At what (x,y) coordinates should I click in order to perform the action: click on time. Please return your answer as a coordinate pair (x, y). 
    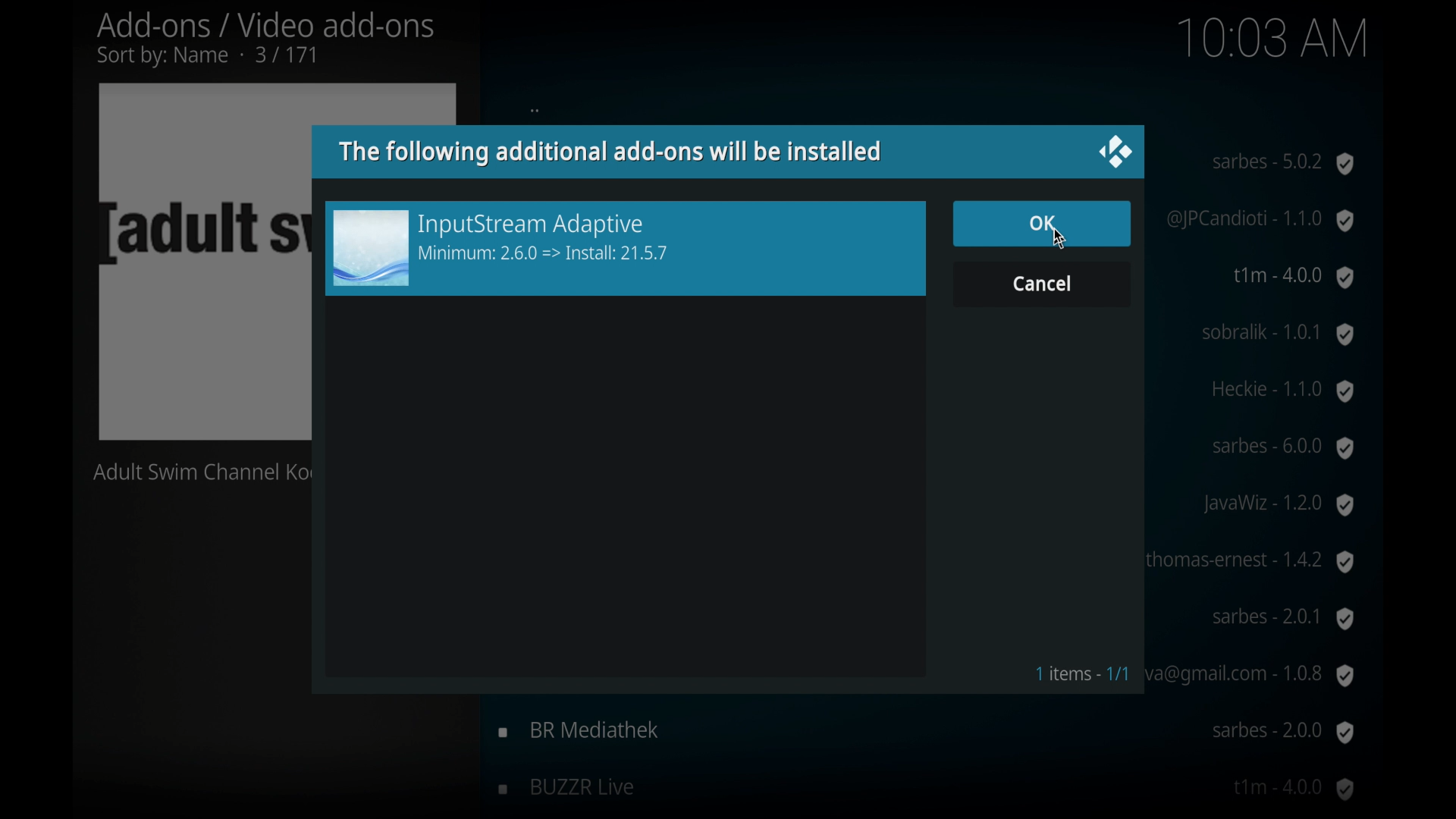
    Looking at the image, I should click on (1282, 39).